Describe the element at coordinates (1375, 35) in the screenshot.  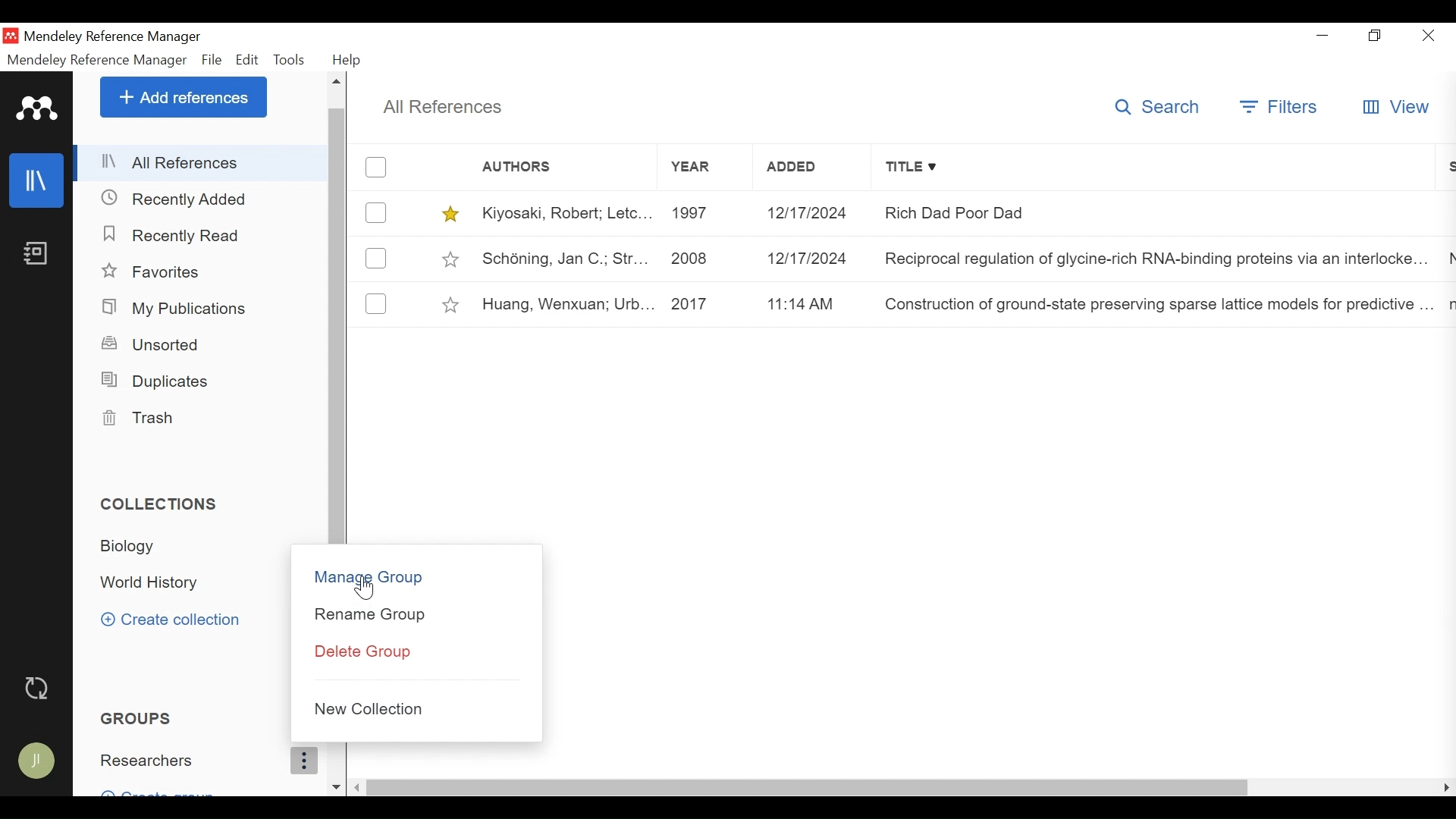
I see `Restore` at that location.